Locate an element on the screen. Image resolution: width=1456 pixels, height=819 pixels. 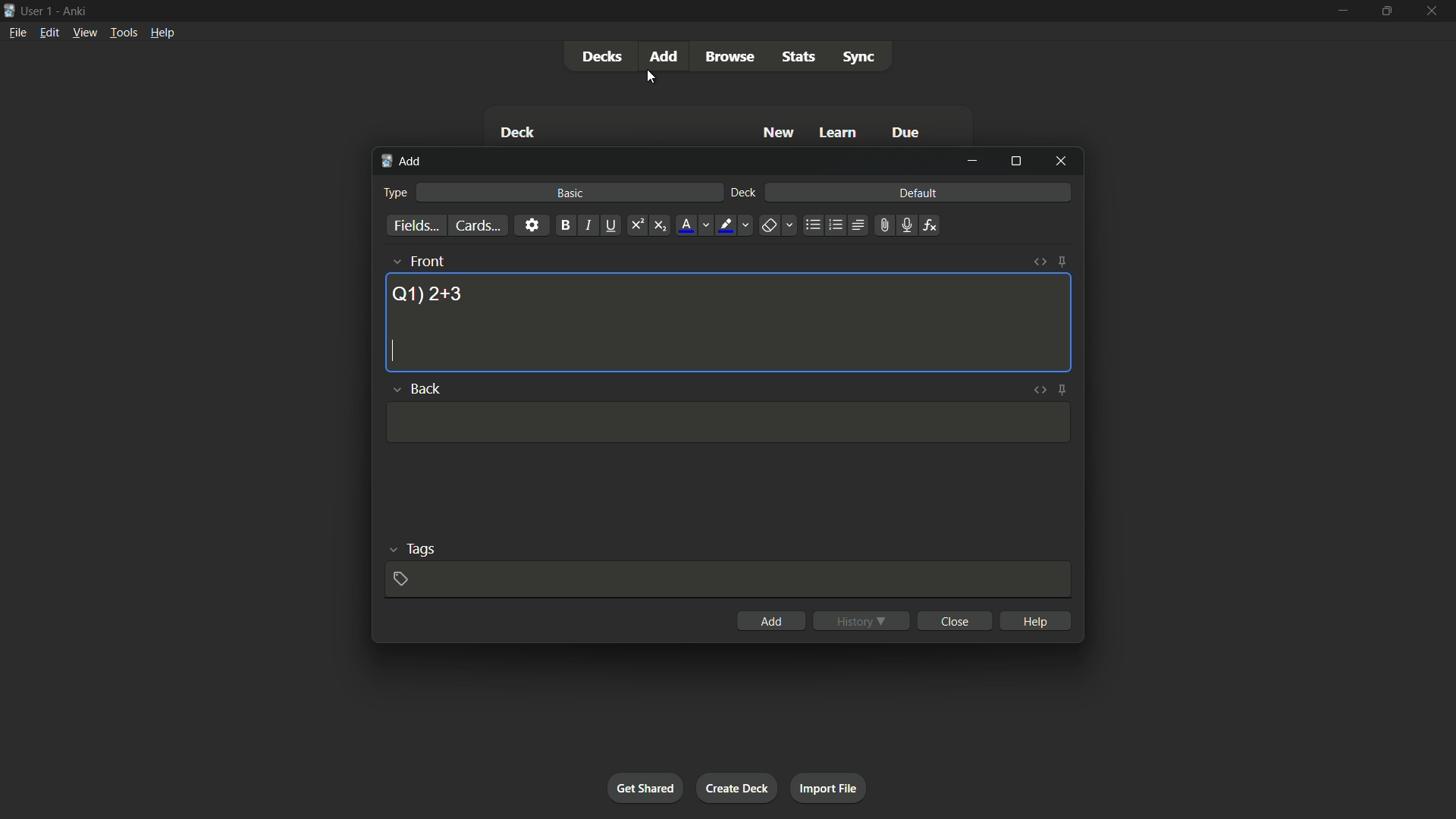
close app is located at coordinates (1433, 11).